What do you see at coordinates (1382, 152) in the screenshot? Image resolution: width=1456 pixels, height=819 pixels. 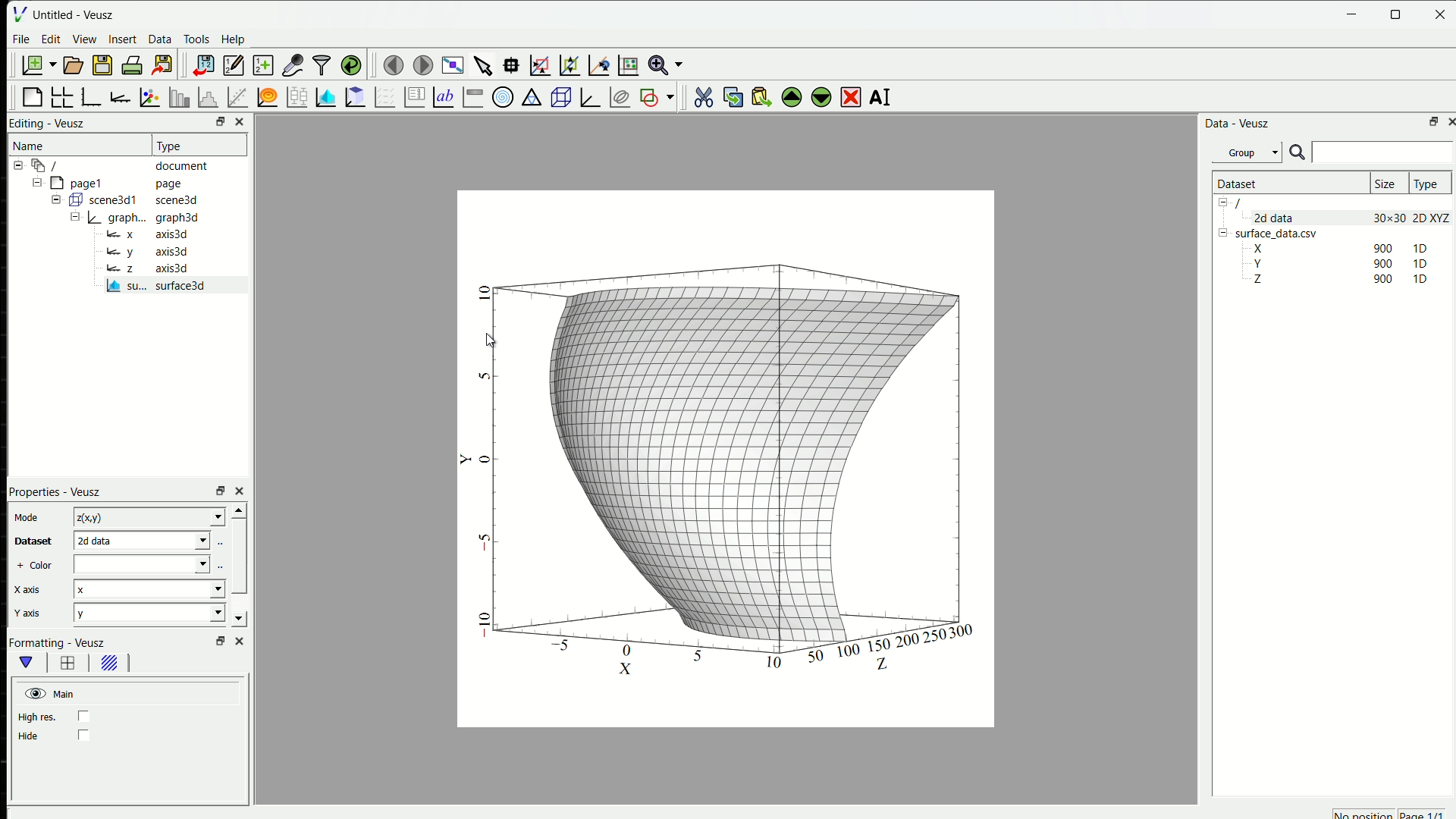 I see `search box` at bounding box center [1382, 152].